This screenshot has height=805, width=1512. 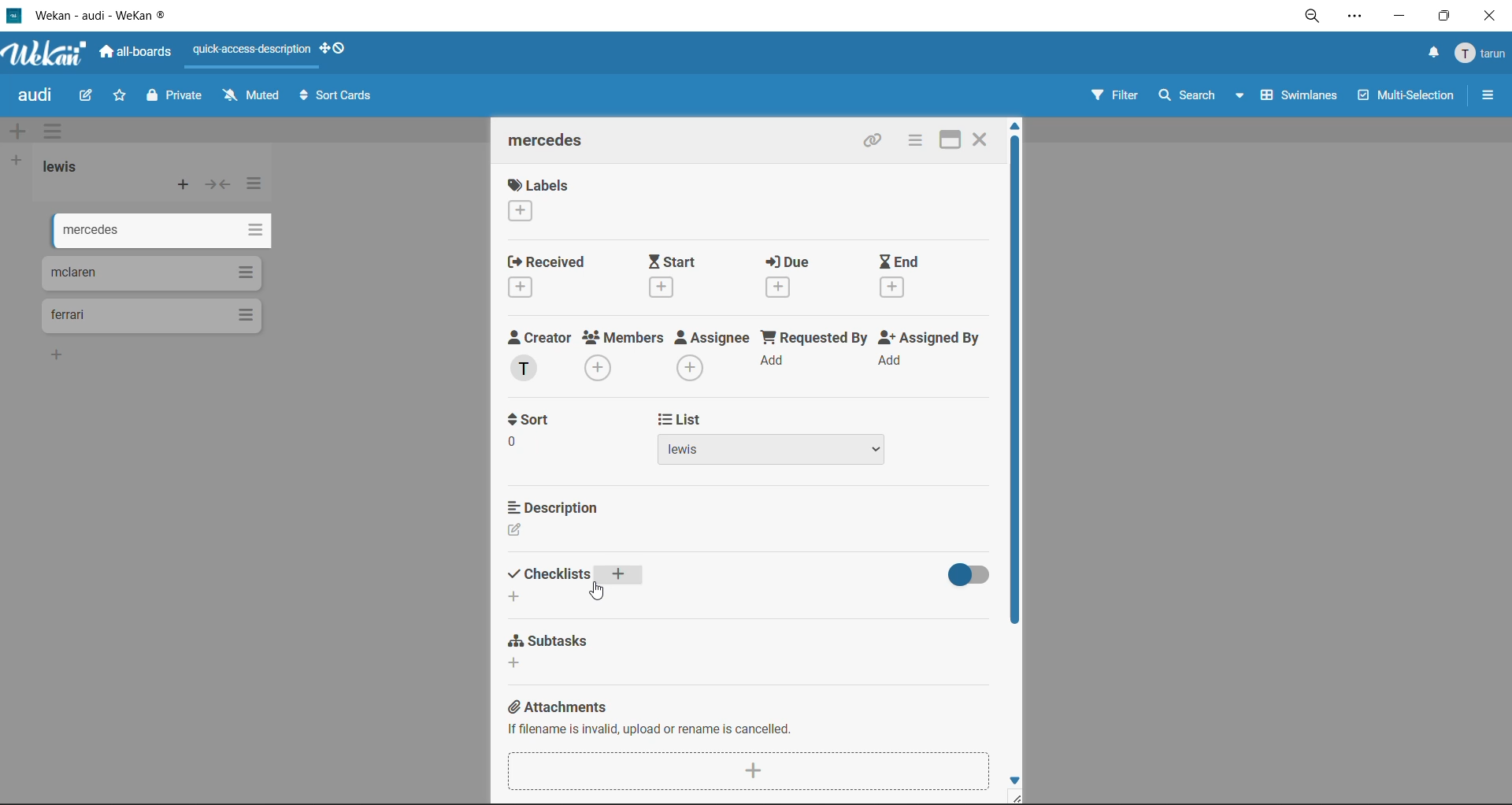 What do you see at coordinates (1023, 382) in the screenshot?
I see `vertical scroll bar` at bounding box center [1023, 382].